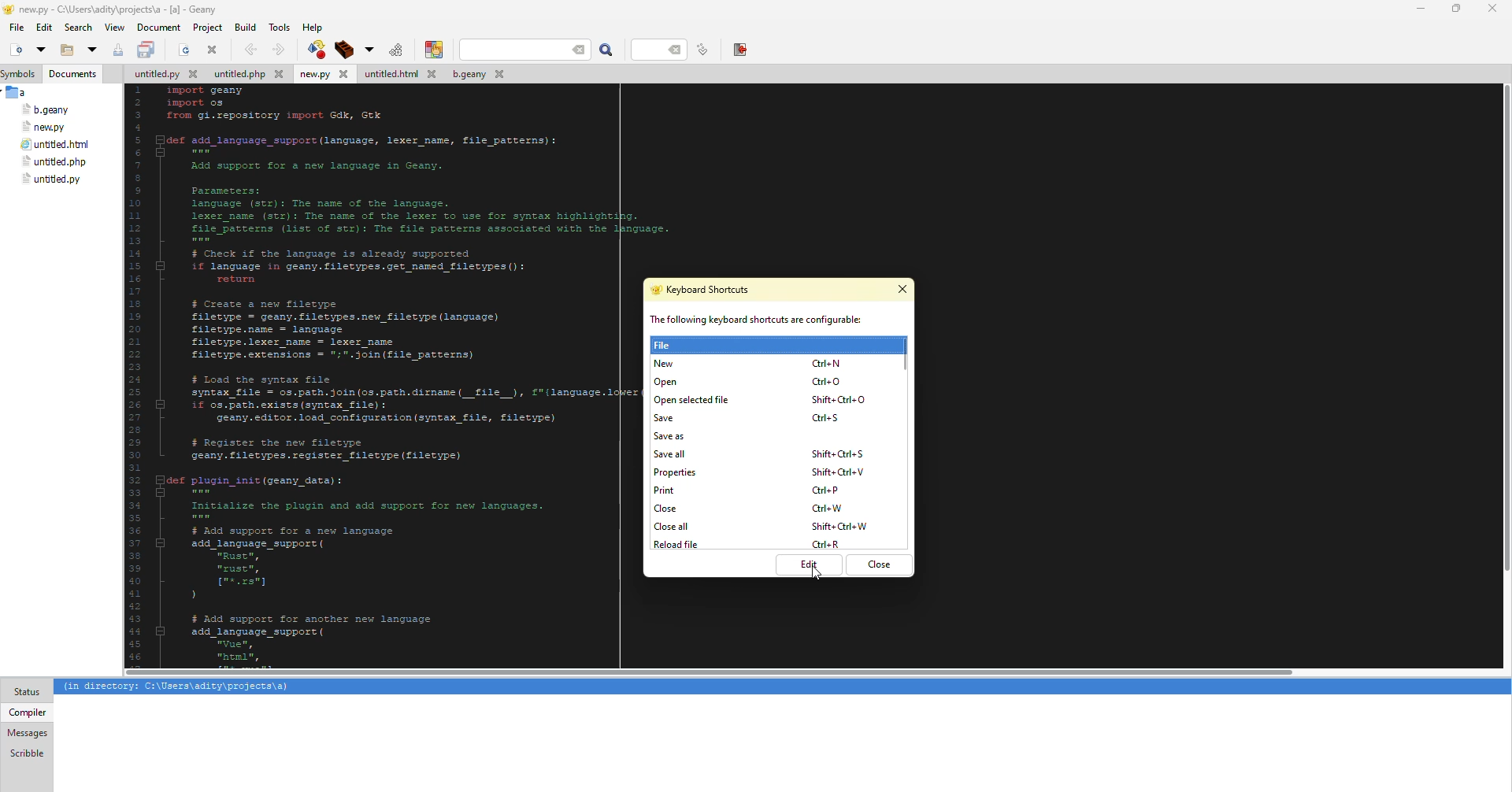 The image size is (1512, 792). What do you see at coordinates (828, 509) in the screenshot?
I see `shortcut` at bounding box center [828, 509].